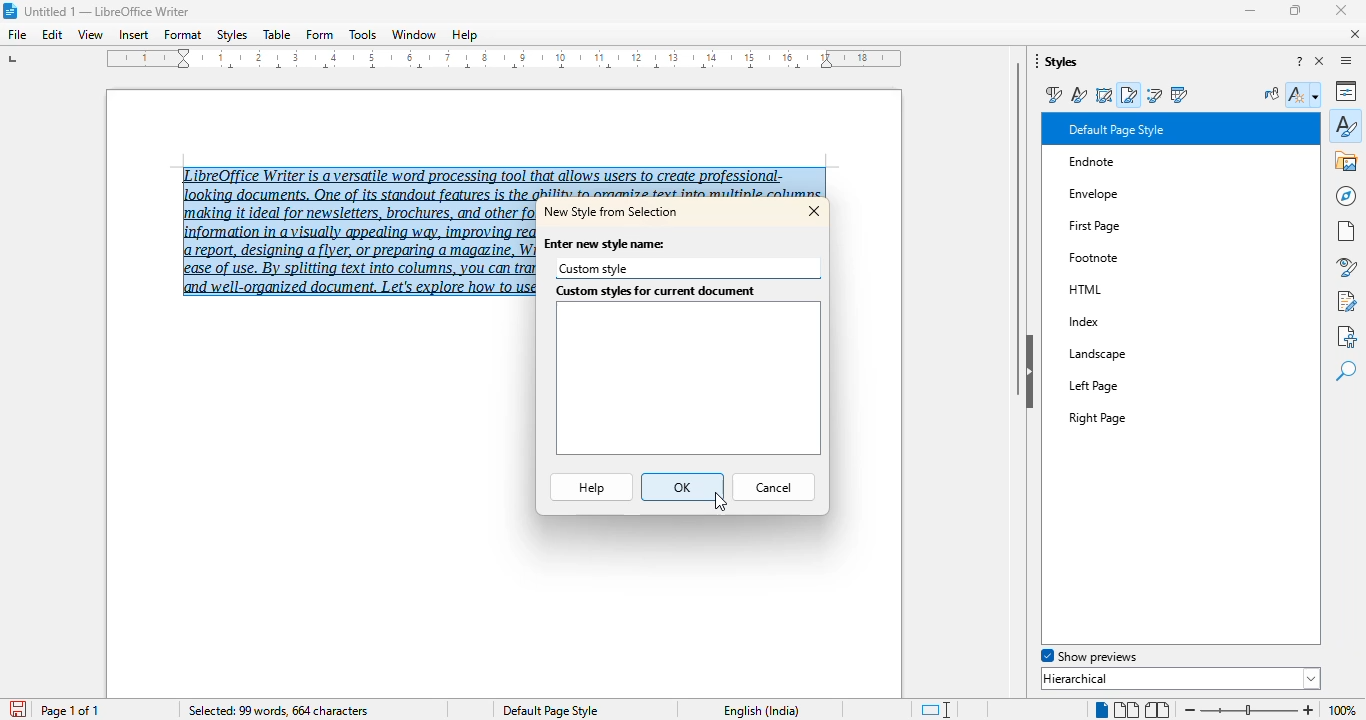 The width and height of the screenshot is (1366, 720). I want to click on  First Page, so click(1117, 221).